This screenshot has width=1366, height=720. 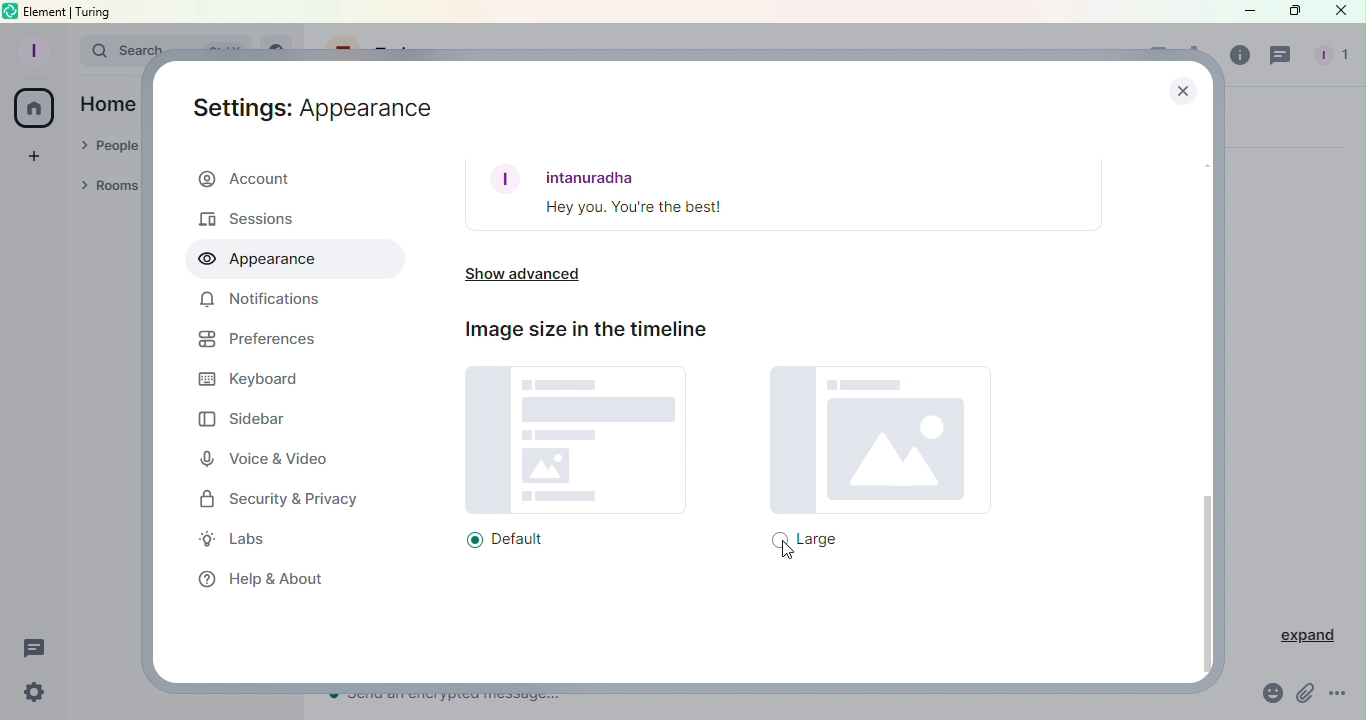 What do you see at coordinates (1298, 636) in the screenshot?
I see `Expand` at bounding box center [1298, 636].